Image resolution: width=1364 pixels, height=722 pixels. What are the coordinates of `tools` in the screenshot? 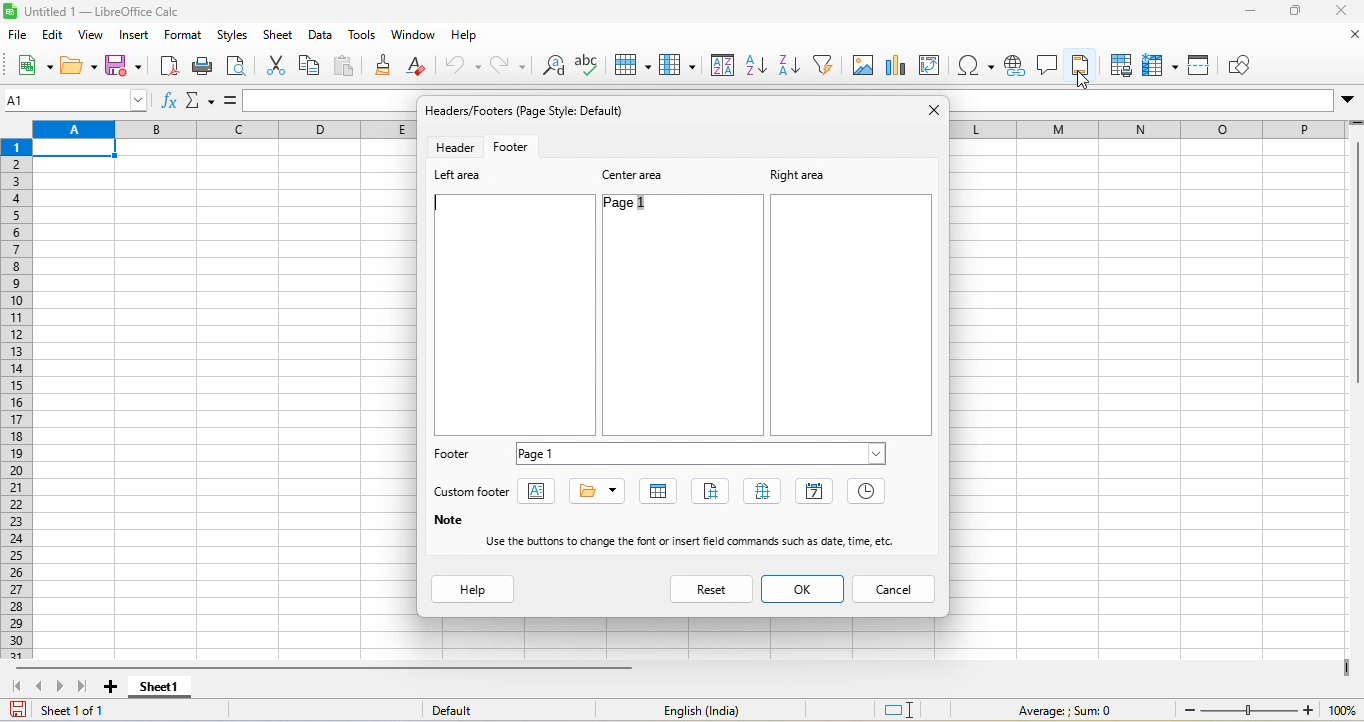 It's located at (359, 38).